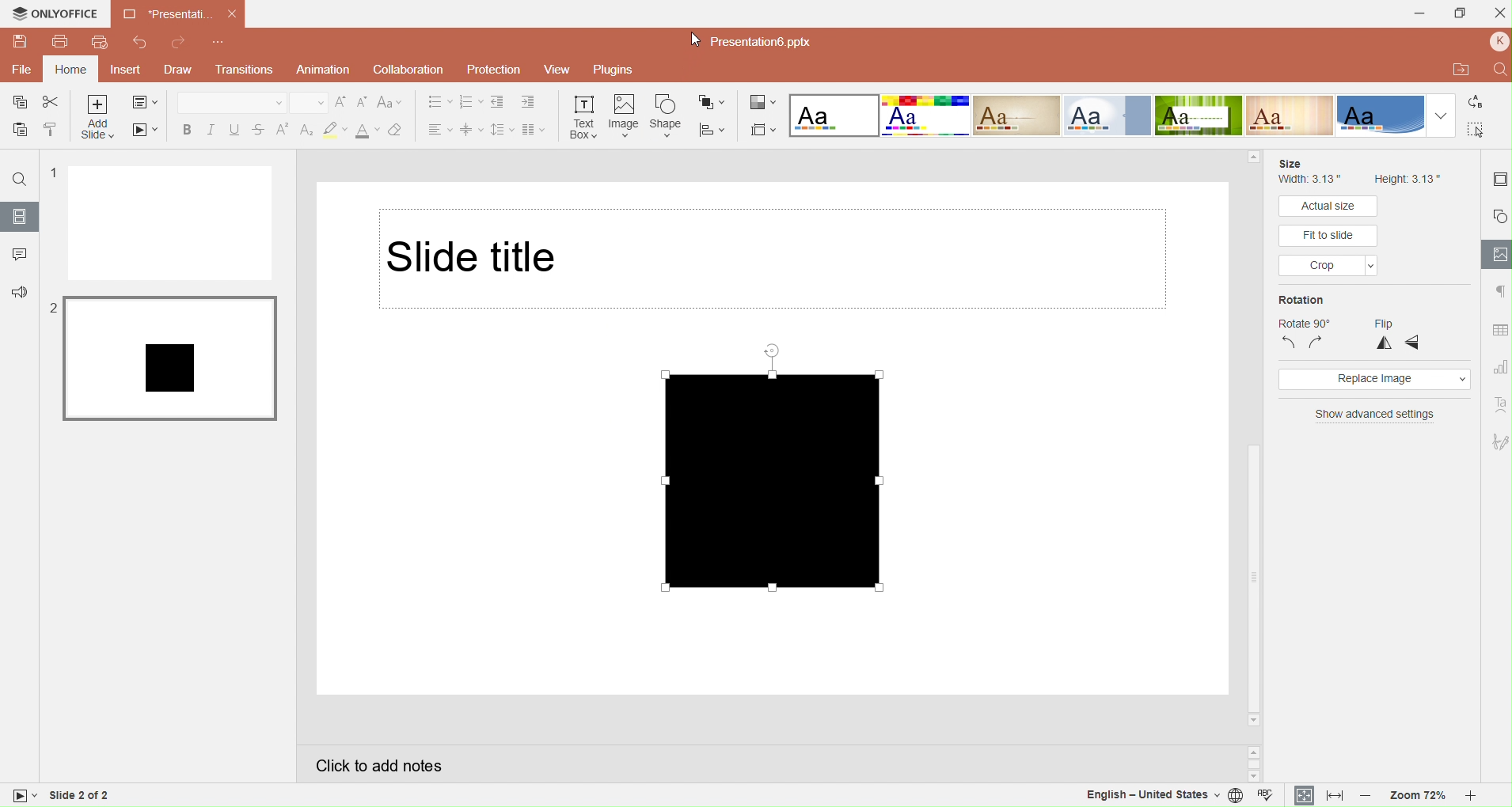 Image resolution: width=1512 pixels, height=807 pixels. Describe the element at coordinates (335, 128) in the screenshot. I see `Clear style` at that location.